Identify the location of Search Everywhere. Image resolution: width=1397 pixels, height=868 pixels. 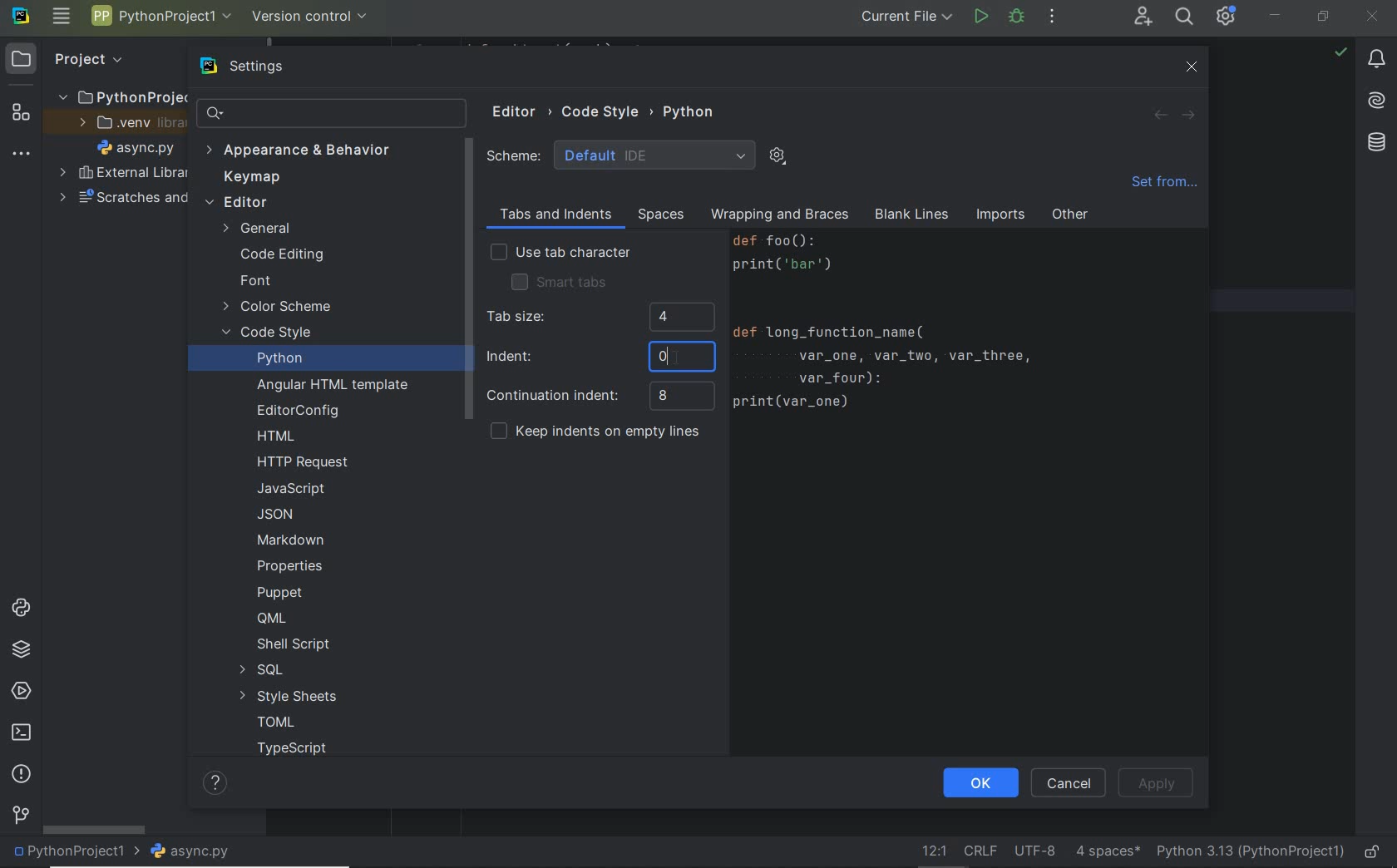
(1183, 19).